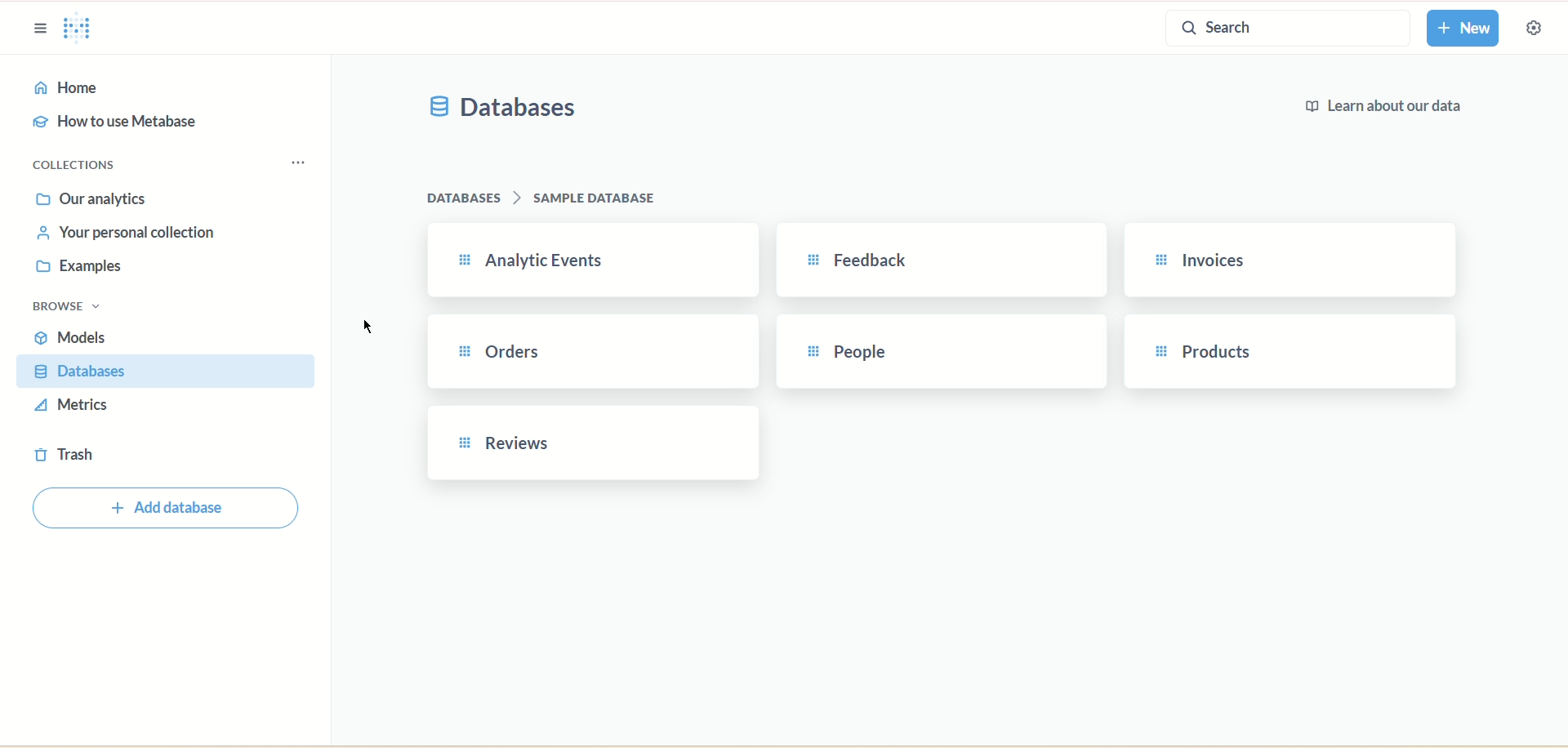 This screenshot has height=748, width=1568. I want to click on home, so click(164, 89).